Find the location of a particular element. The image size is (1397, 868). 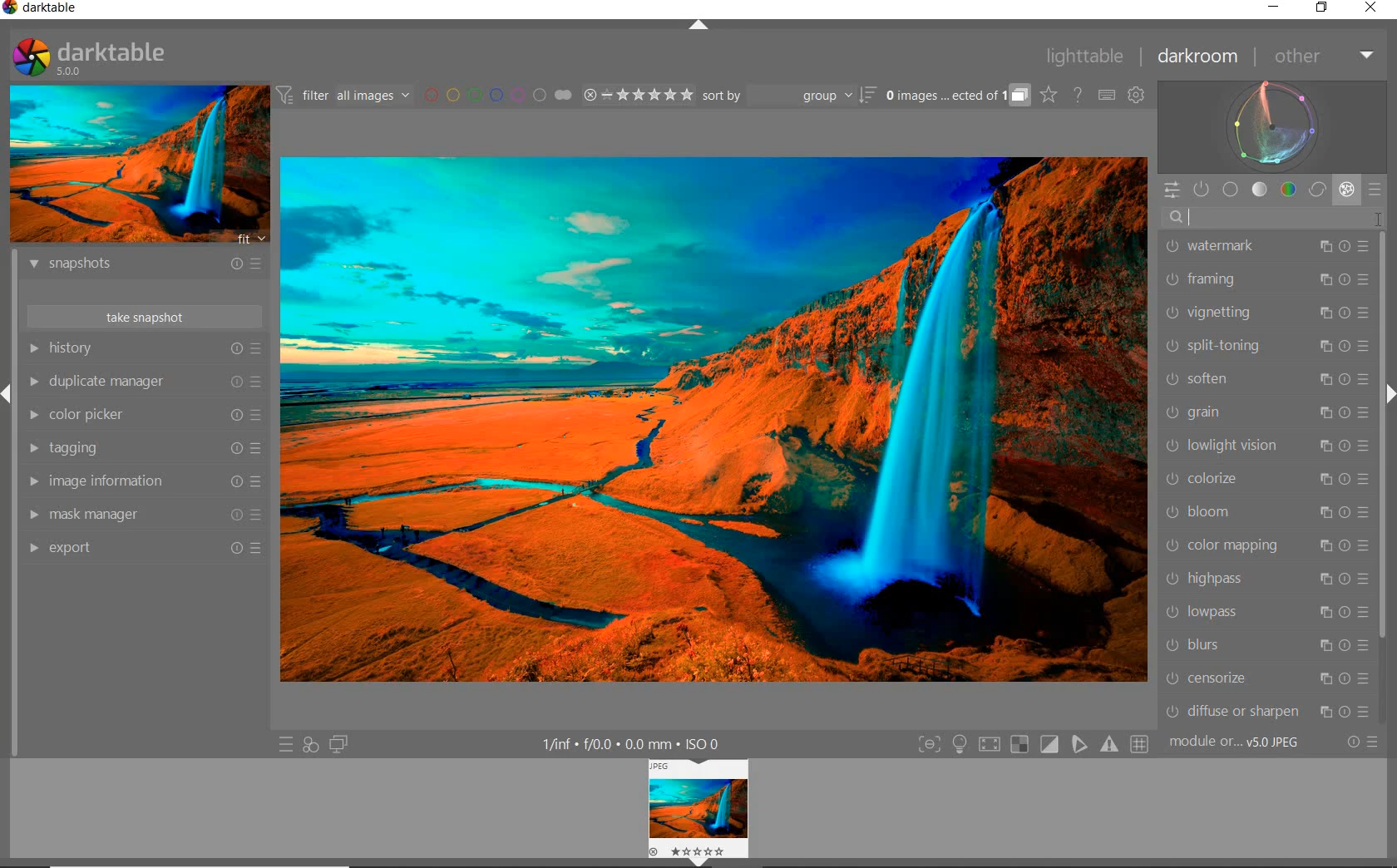

highpass is located at coordinates (1266, 581).